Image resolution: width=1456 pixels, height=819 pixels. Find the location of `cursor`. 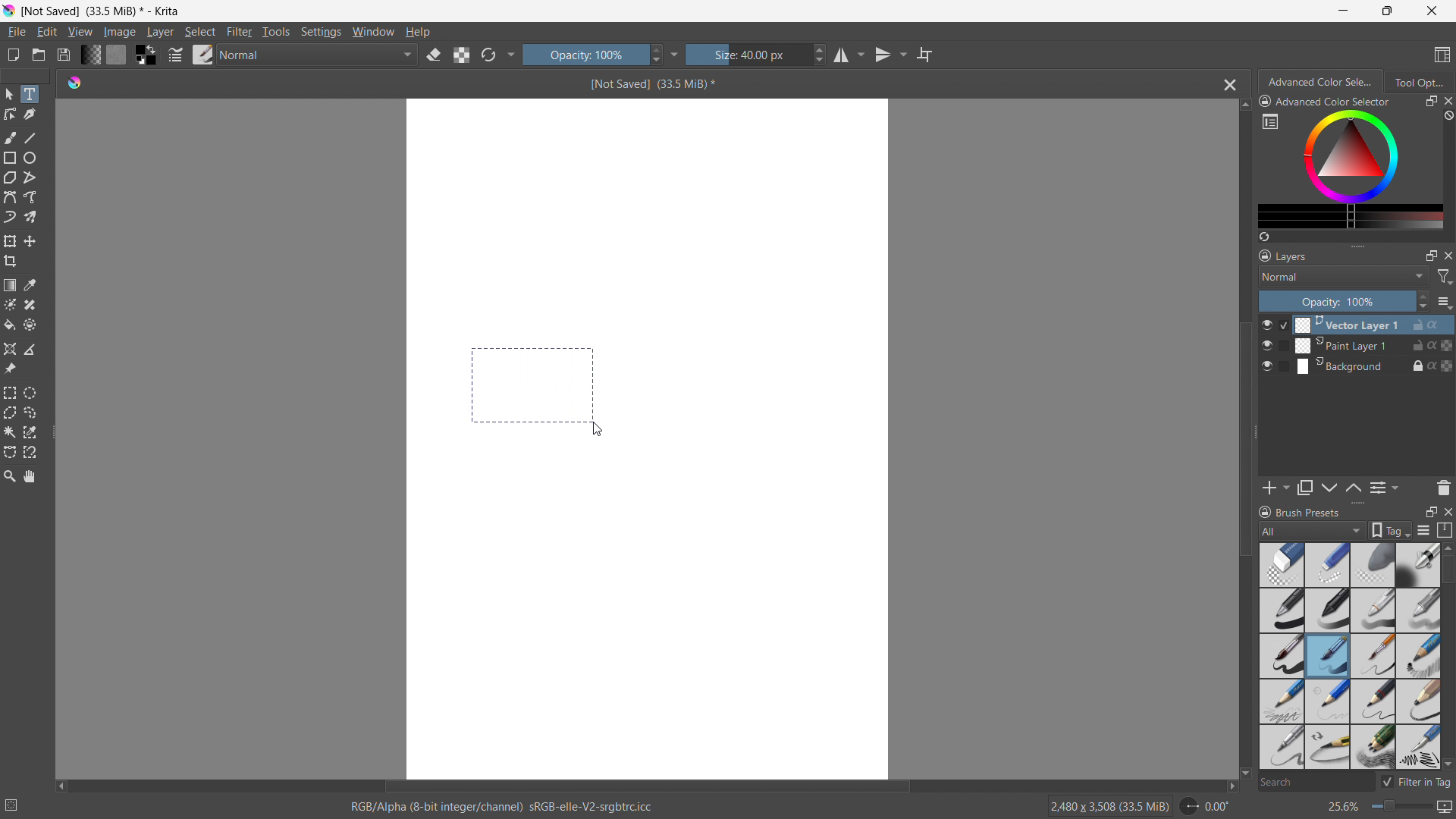

cursor is located at coordinates (598, 428).